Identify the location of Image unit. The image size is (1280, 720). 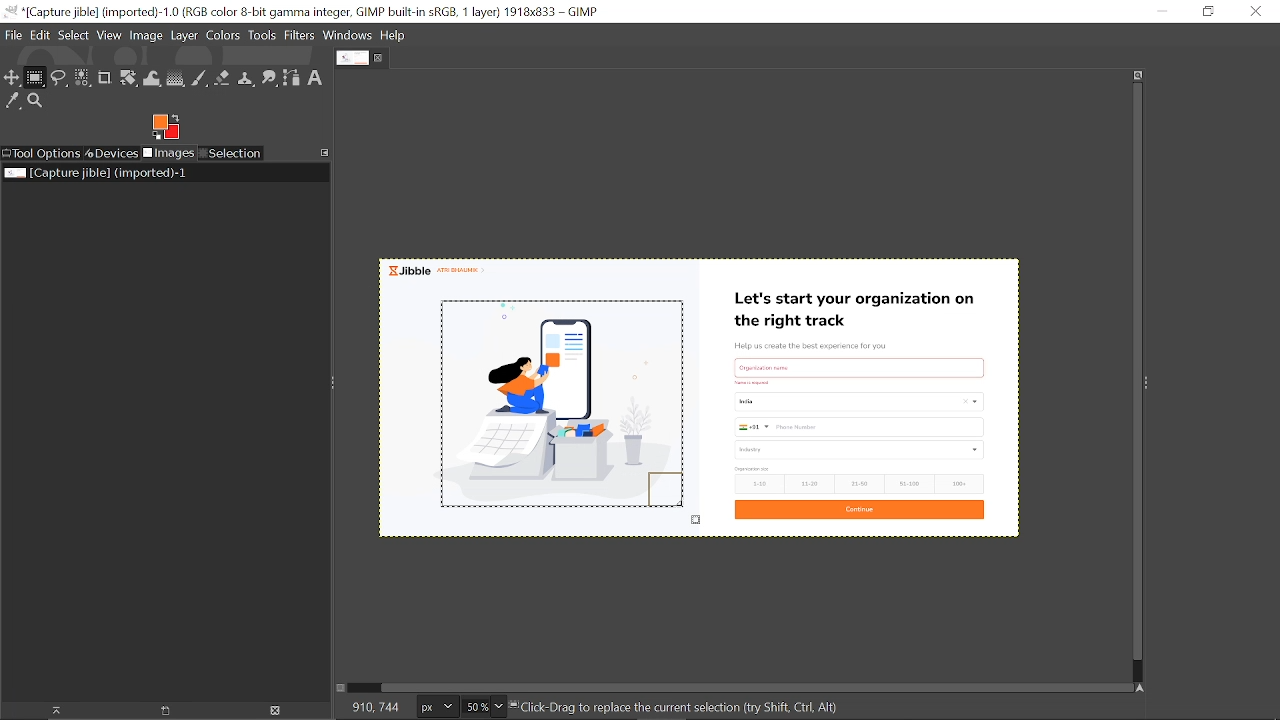
(433, 707).